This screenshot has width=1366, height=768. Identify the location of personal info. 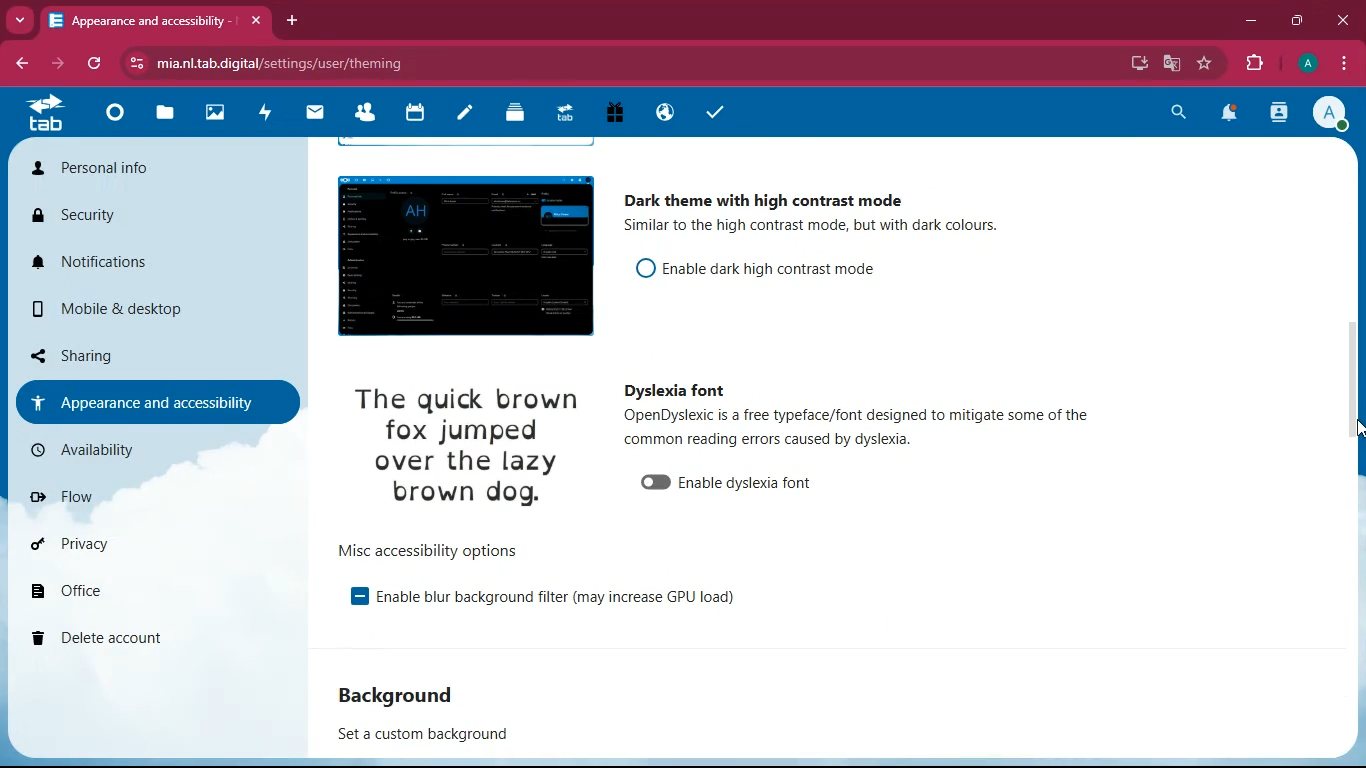
(141, 167).